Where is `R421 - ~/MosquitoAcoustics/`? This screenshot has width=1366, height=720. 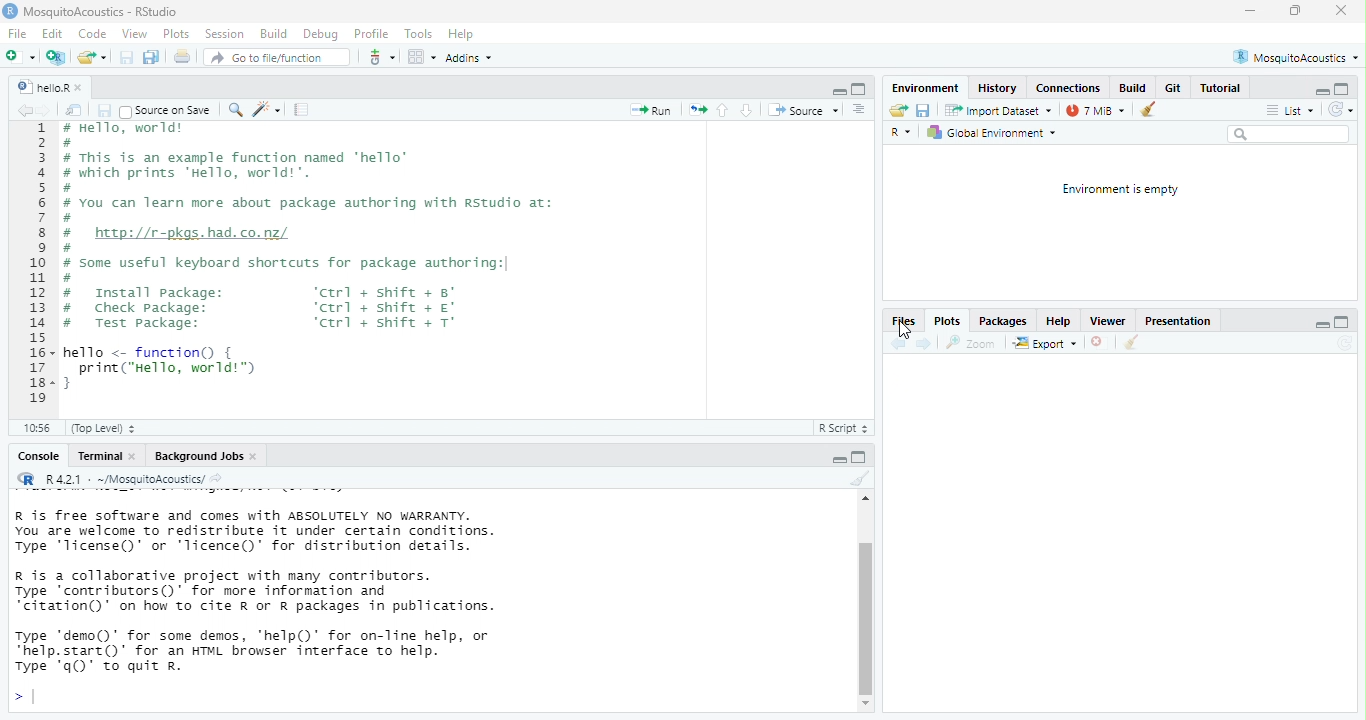 R421 - ~/MosquitoAcoustics/ is located at coordinates (135, 478).